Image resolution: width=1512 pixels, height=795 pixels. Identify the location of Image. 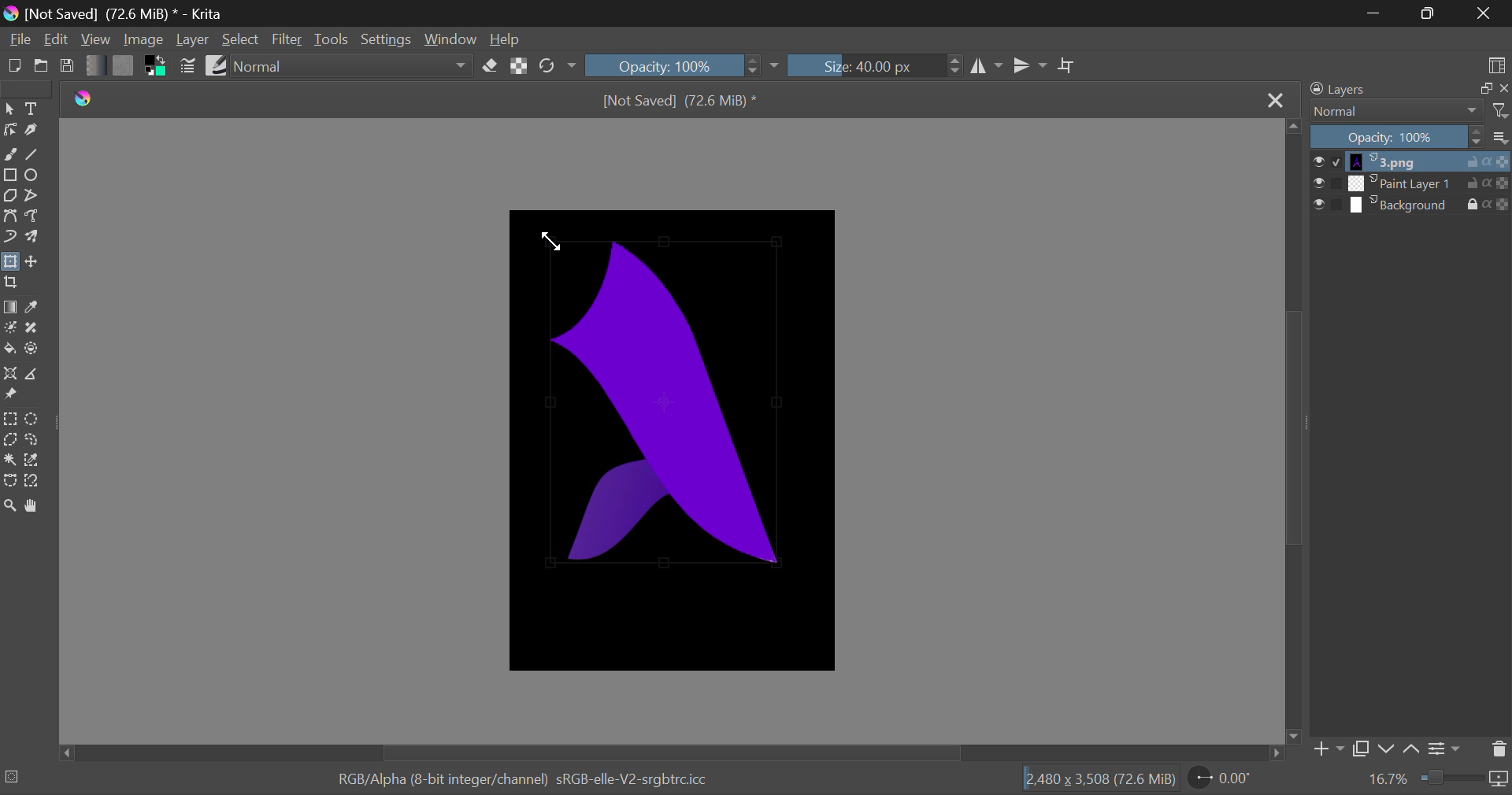
(146, 41).